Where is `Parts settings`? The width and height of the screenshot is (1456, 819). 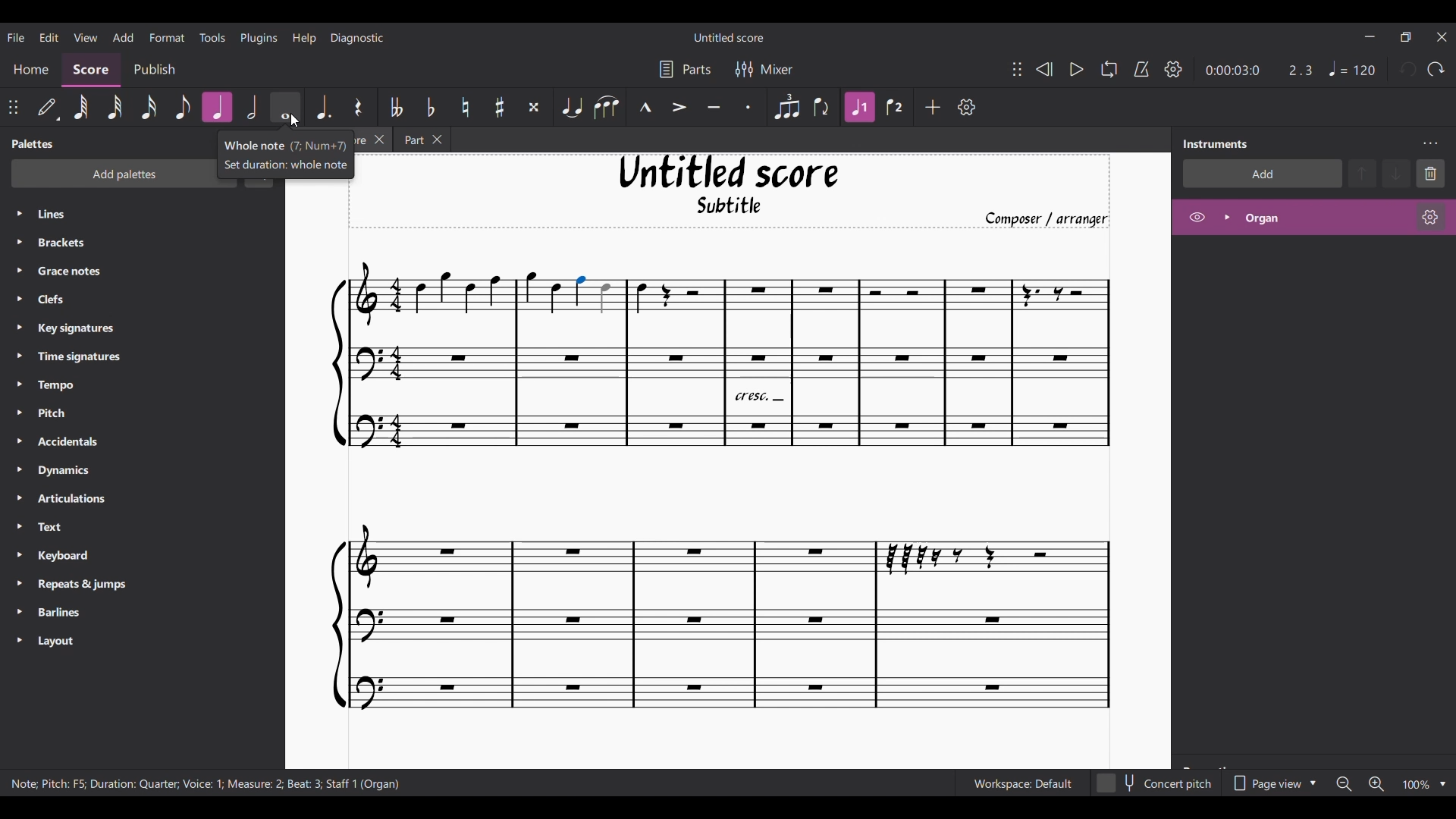 Parts settings is located at coordinates (686, 69).